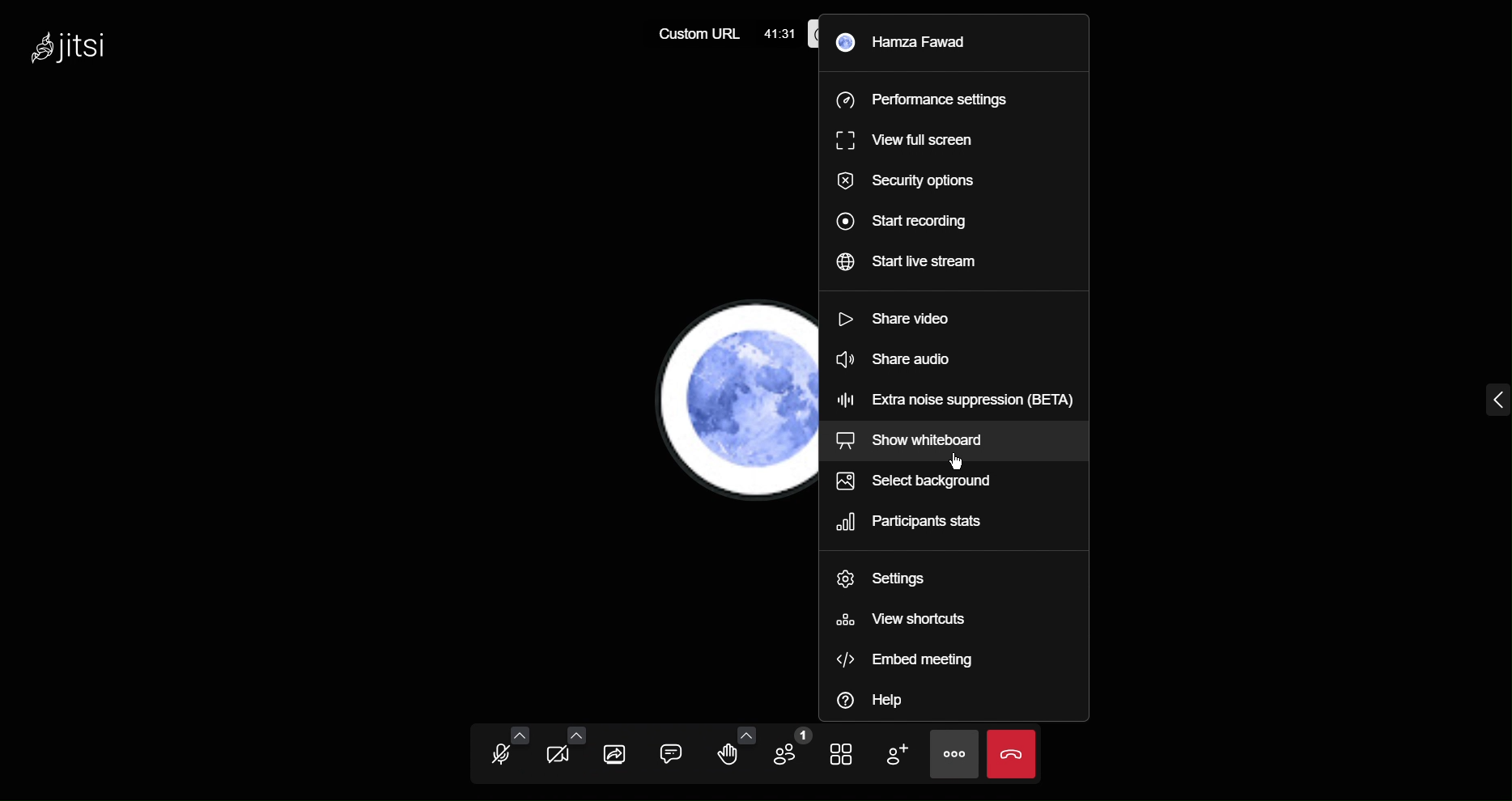 This screenshot has width=1512, height=801. I want to click on Account Profile Picture, so click(731, 404).